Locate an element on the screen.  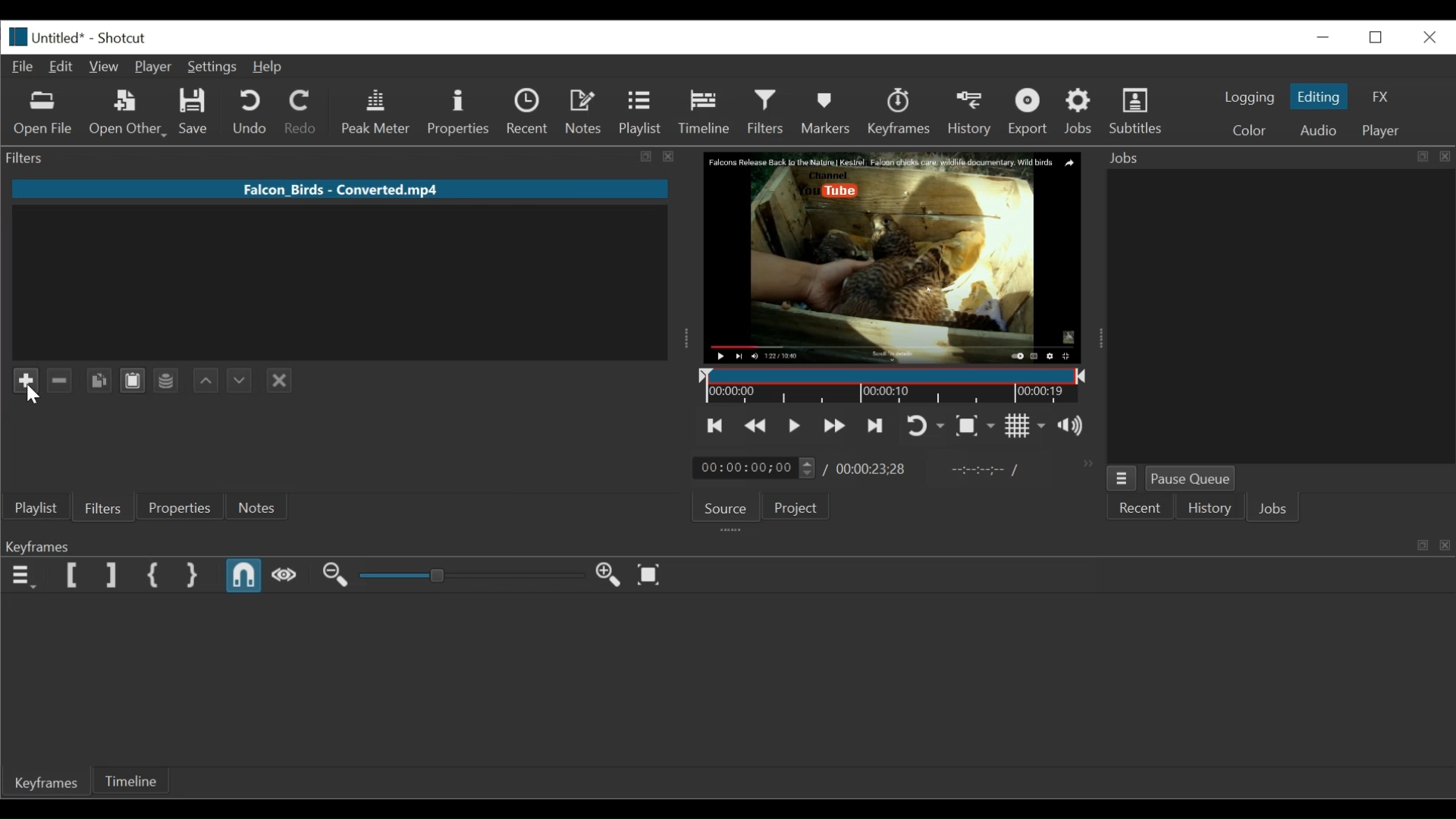
Keyframe menu is located at coordinates (23, 576).